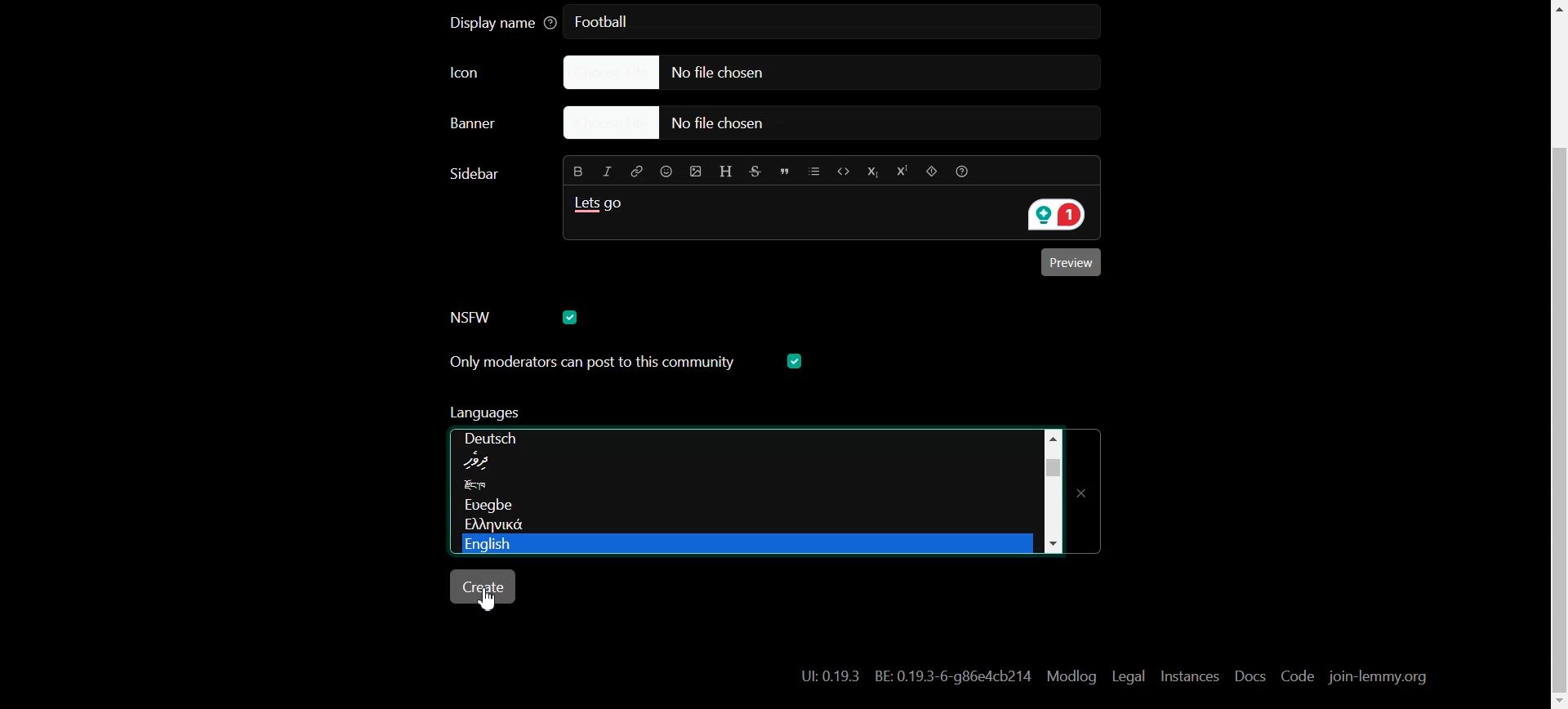 This screenshot has width=1568, height=709. What do you see at coordinates (1052, 216) in the screenshot?
I see `grammarly` at bounding box center [1052, 216].